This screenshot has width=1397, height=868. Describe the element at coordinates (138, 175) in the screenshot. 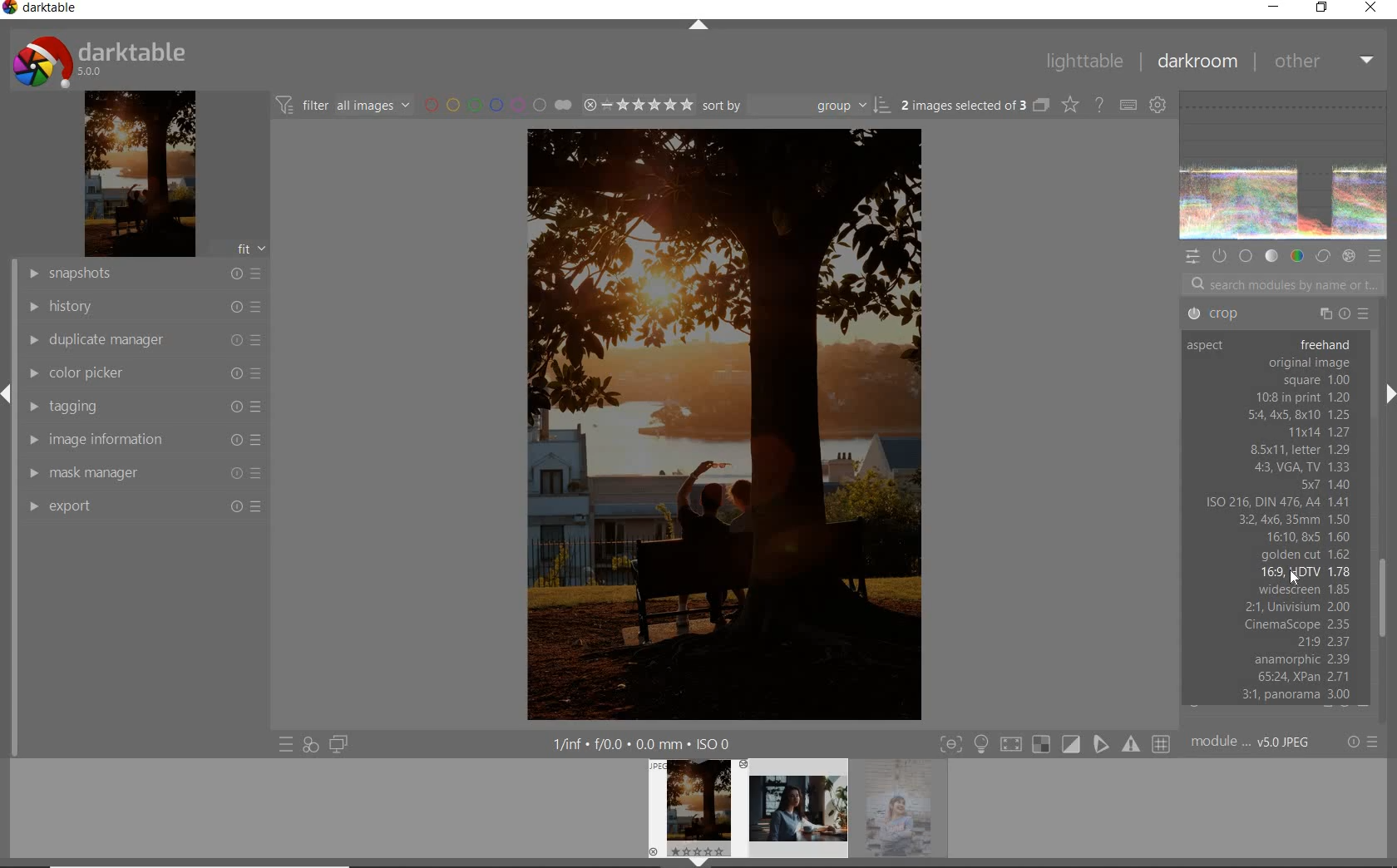

I see `image` at that location.